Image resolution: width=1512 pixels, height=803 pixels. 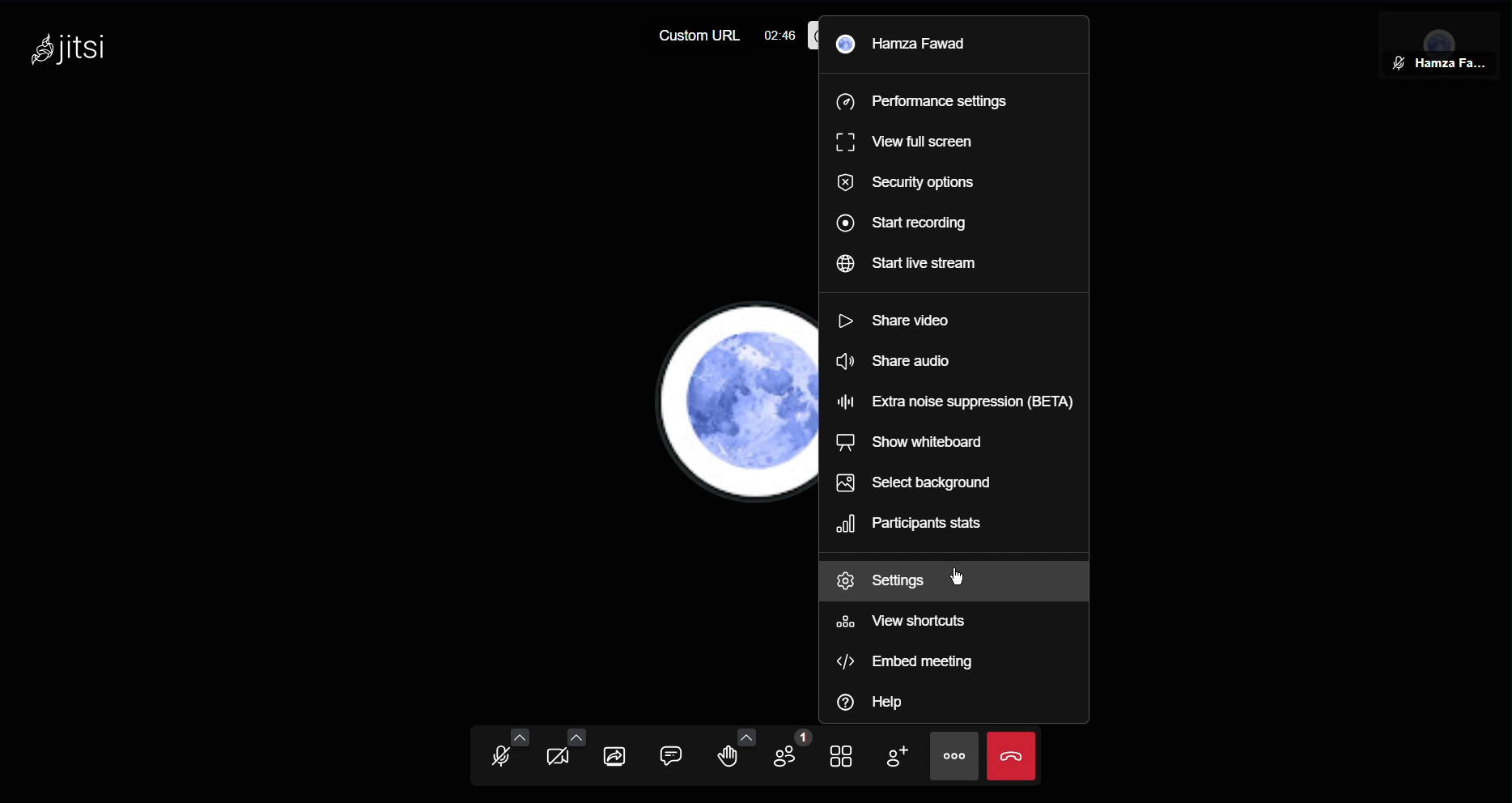 I want to click on Start recording, so click(x=904, y=223).